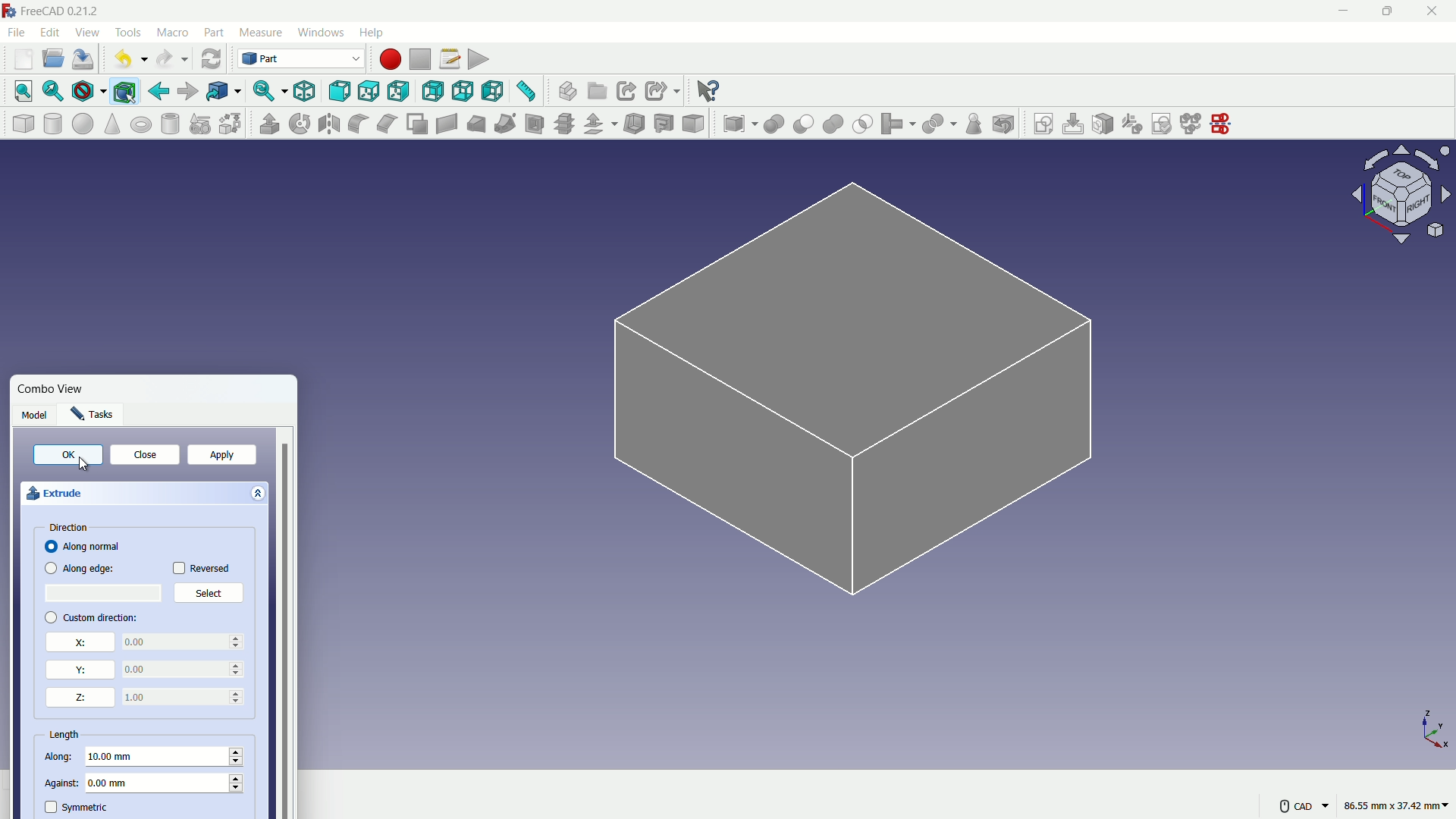 This screenshot has height=819, width=1456. Describe the element at coordinates (1043, 122) in the screenshot. I see `create sketch` at that location.